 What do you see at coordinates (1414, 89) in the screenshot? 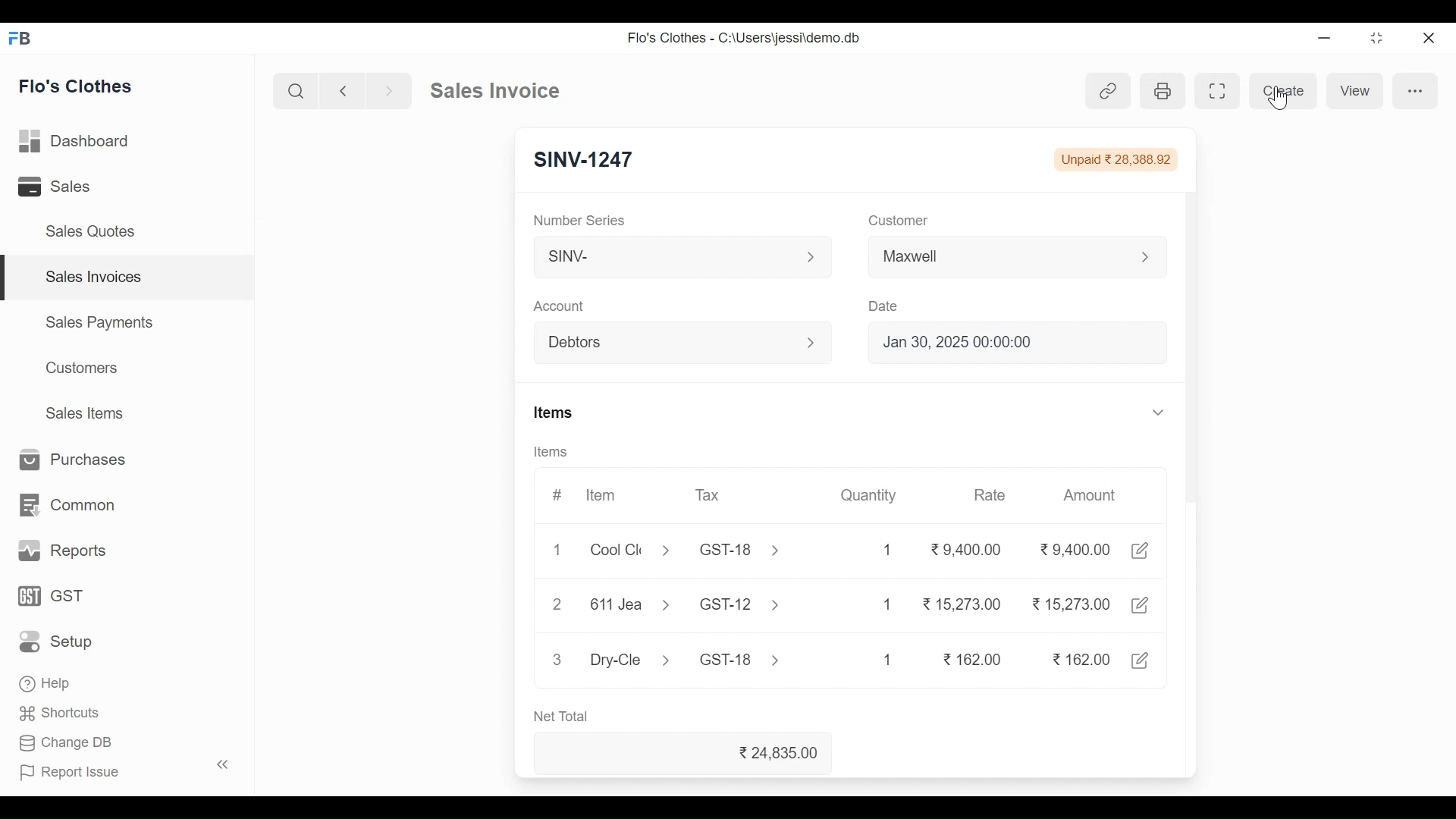
I see `more` at bounding box center [1414, 89].